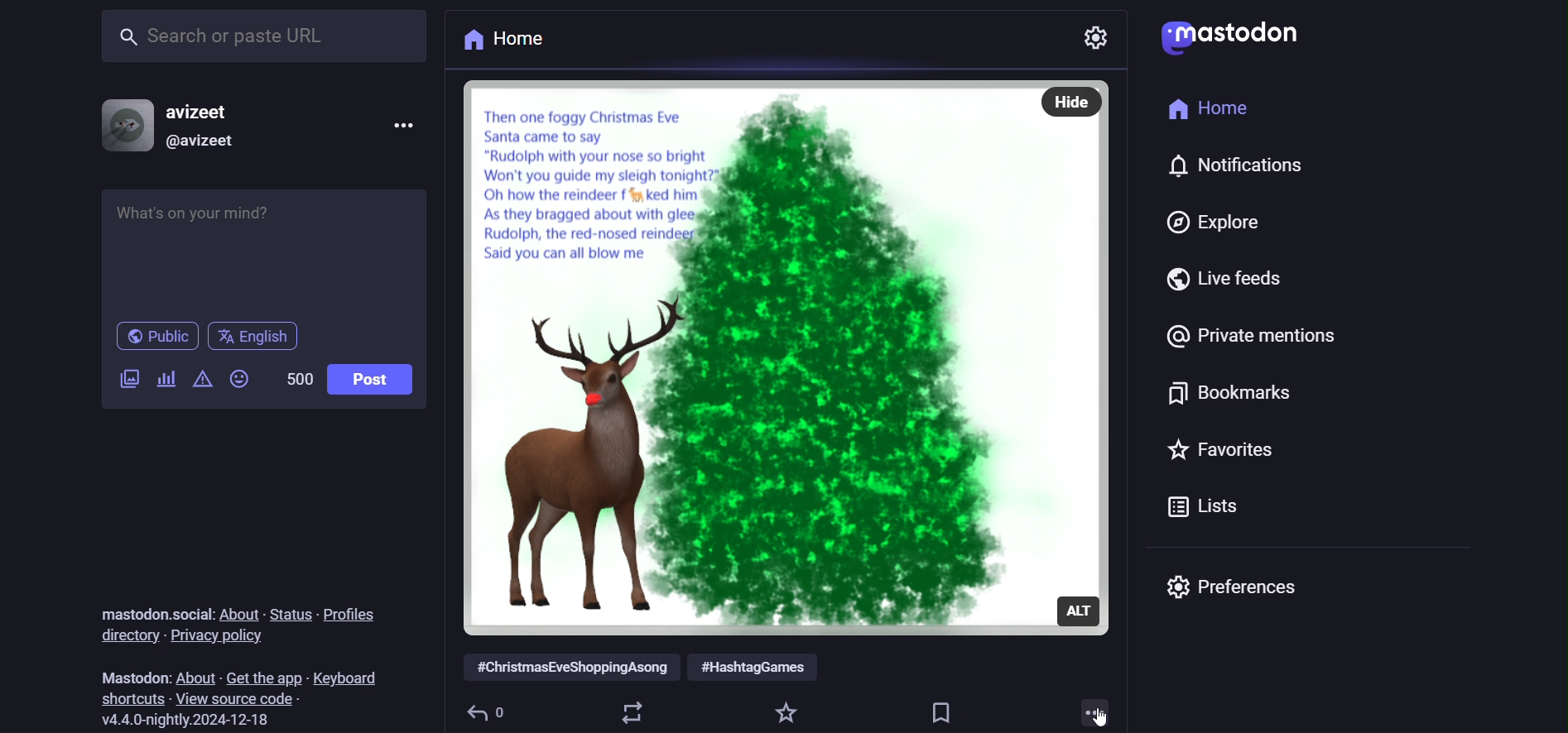 Image resolution: width=1568 pixels, height=733 pixels. What do you see at coordinates (372, 379) in the screenshot?
I see `post` at bounding box center [372, 379].